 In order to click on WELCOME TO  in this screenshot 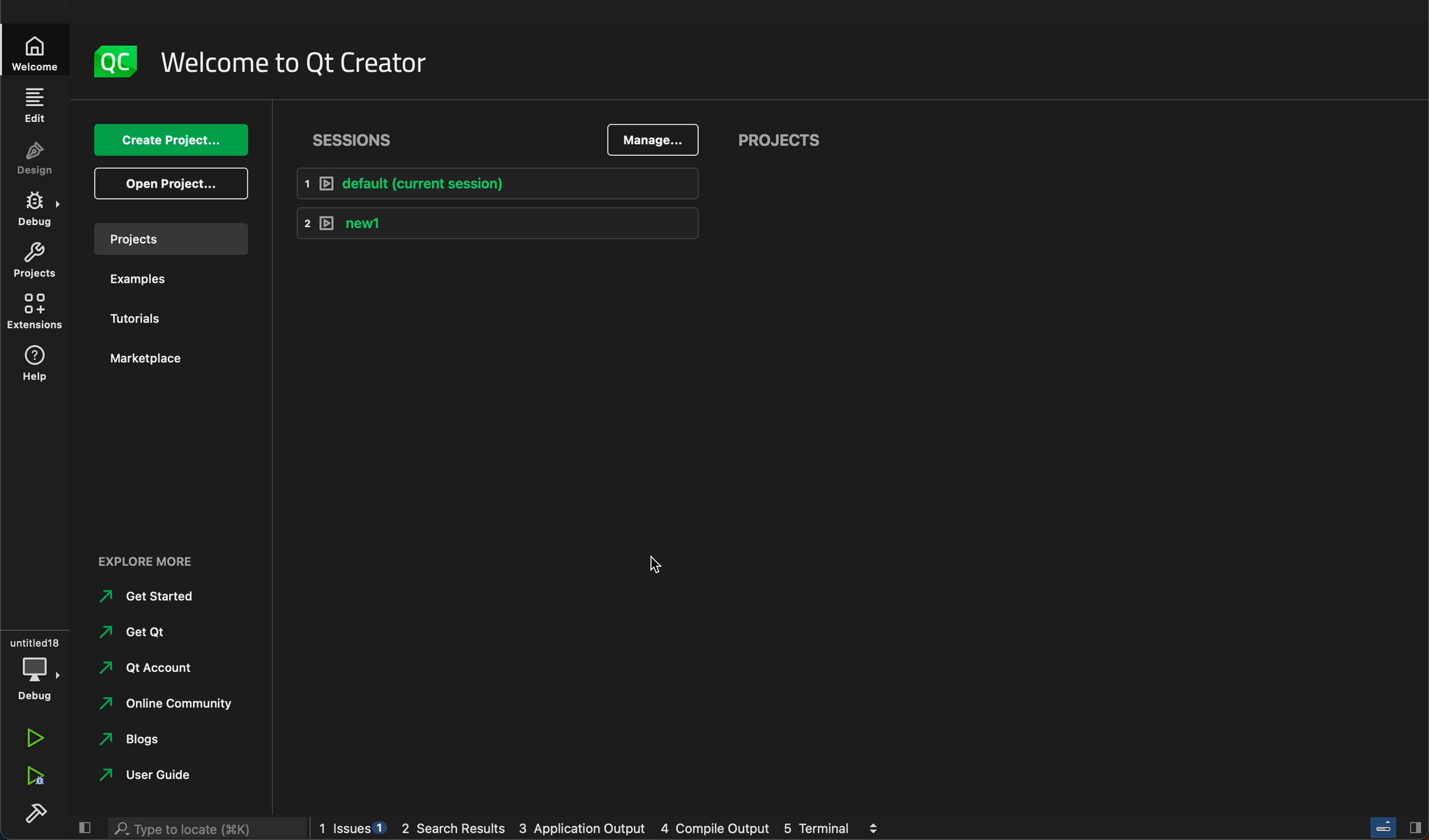, I will do `click(298, 63)`.